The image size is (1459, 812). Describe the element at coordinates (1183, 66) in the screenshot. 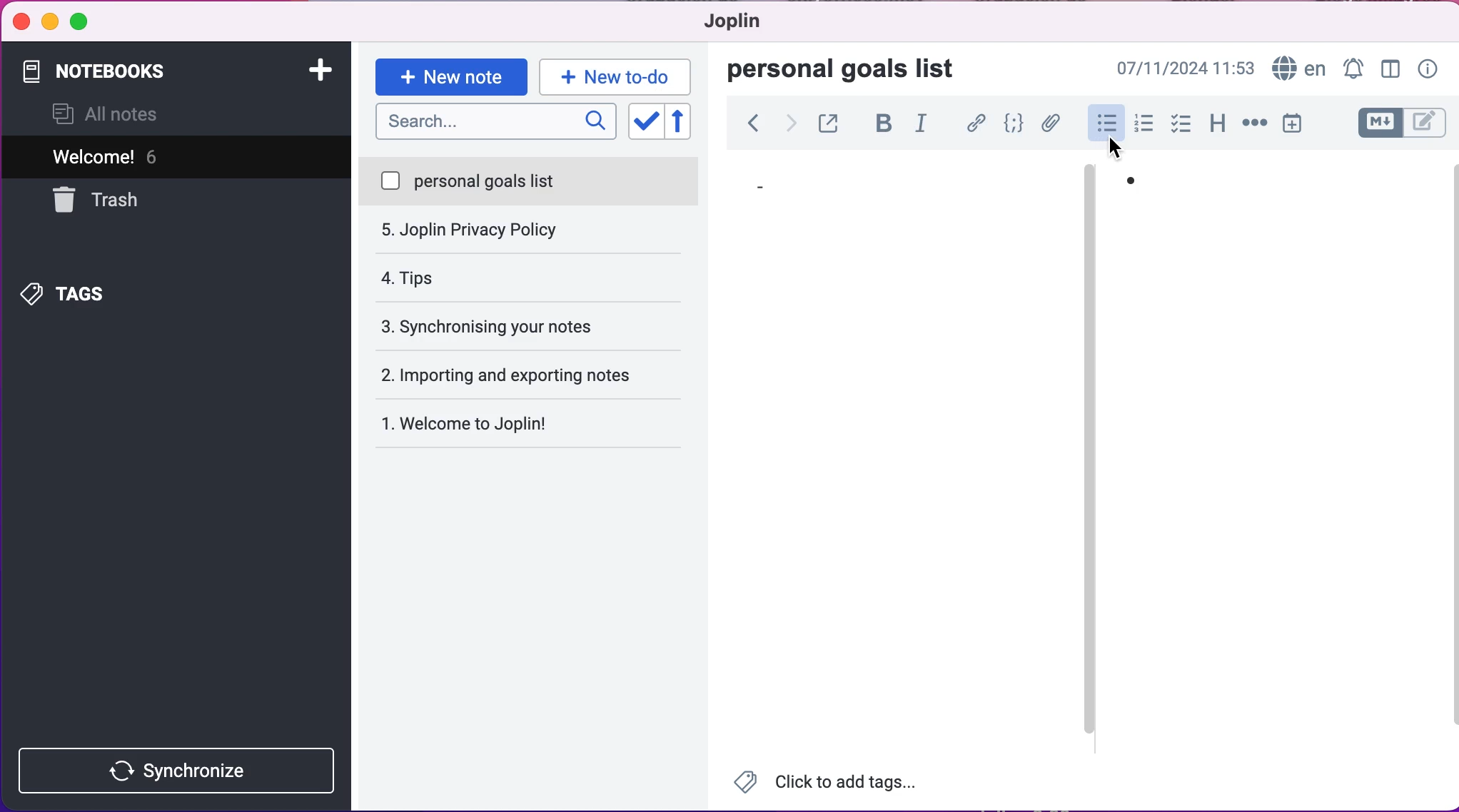

I see `07/11/2024 09:03` at that location.